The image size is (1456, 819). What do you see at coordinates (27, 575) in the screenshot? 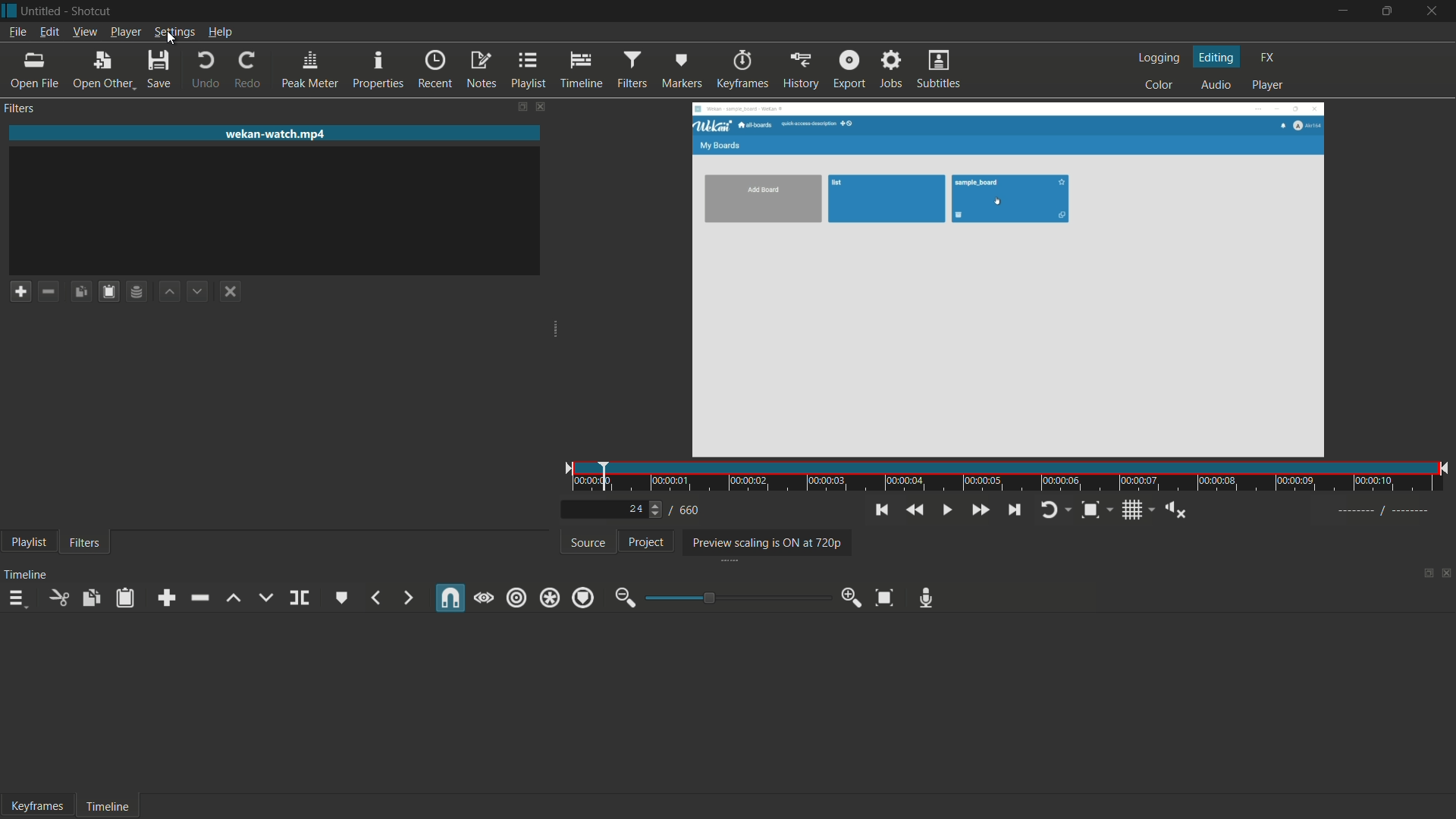
I see `timeline` at bounding box center [27, 575].